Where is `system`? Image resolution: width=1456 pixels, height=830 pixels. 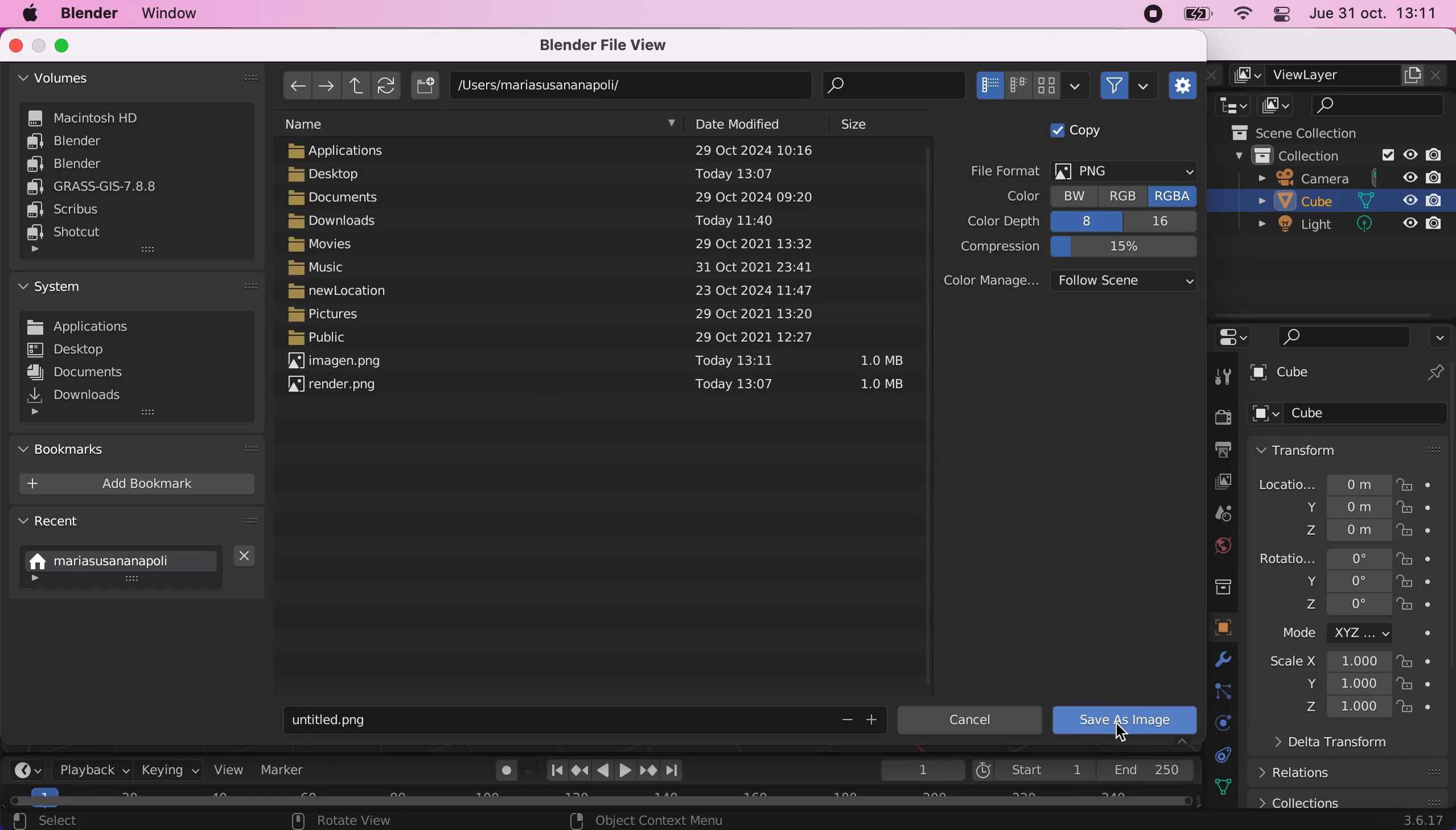 system is located at coordinates (134, 354).